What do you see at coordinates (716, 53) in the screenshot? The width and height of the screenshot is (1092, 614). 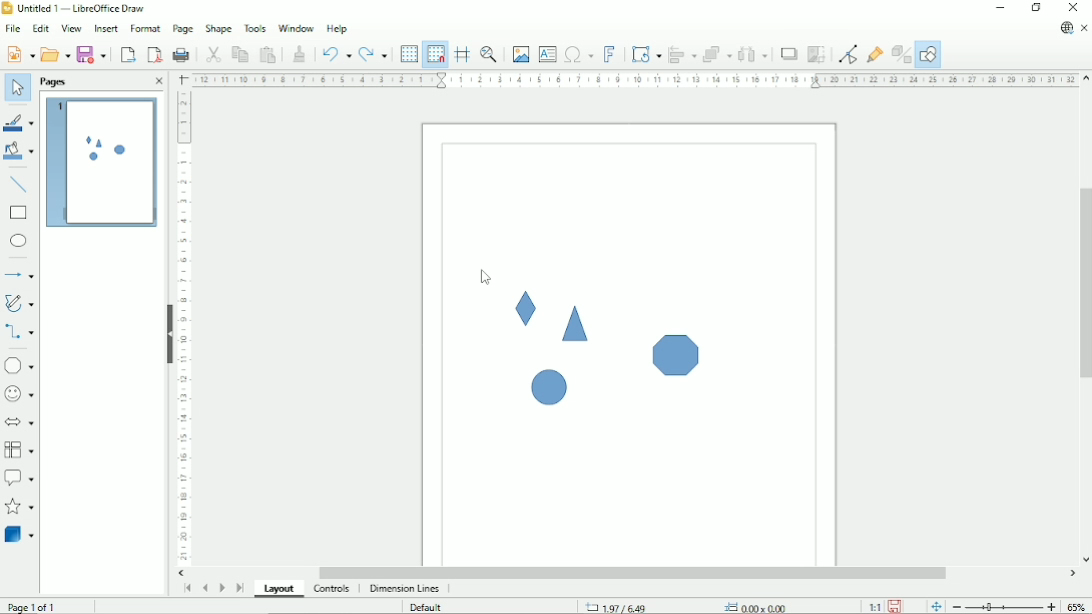 I see `Arrange` at bounding box center [716, 53].